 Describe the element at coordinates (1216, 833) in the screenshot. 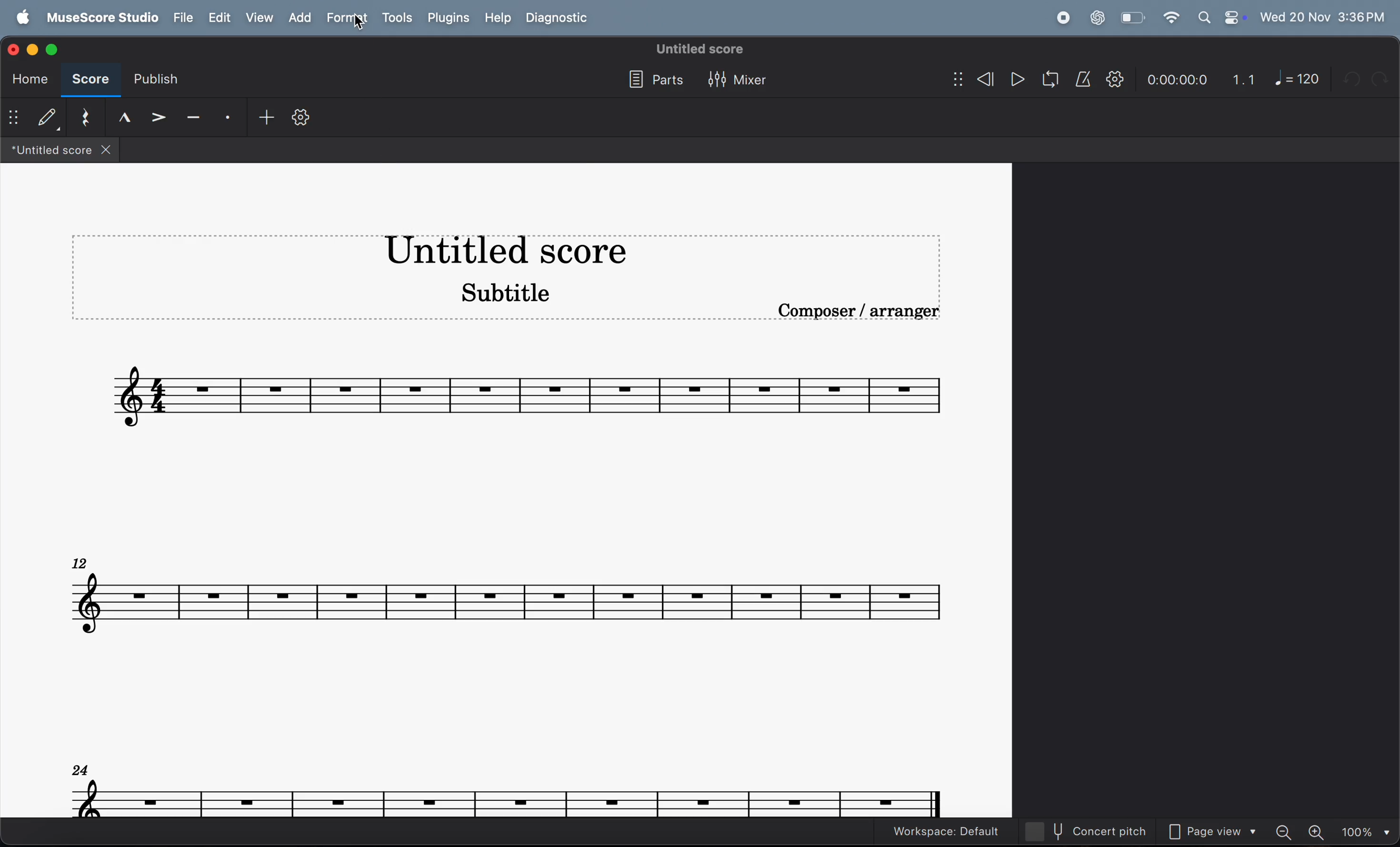

I see `page view` at that location.